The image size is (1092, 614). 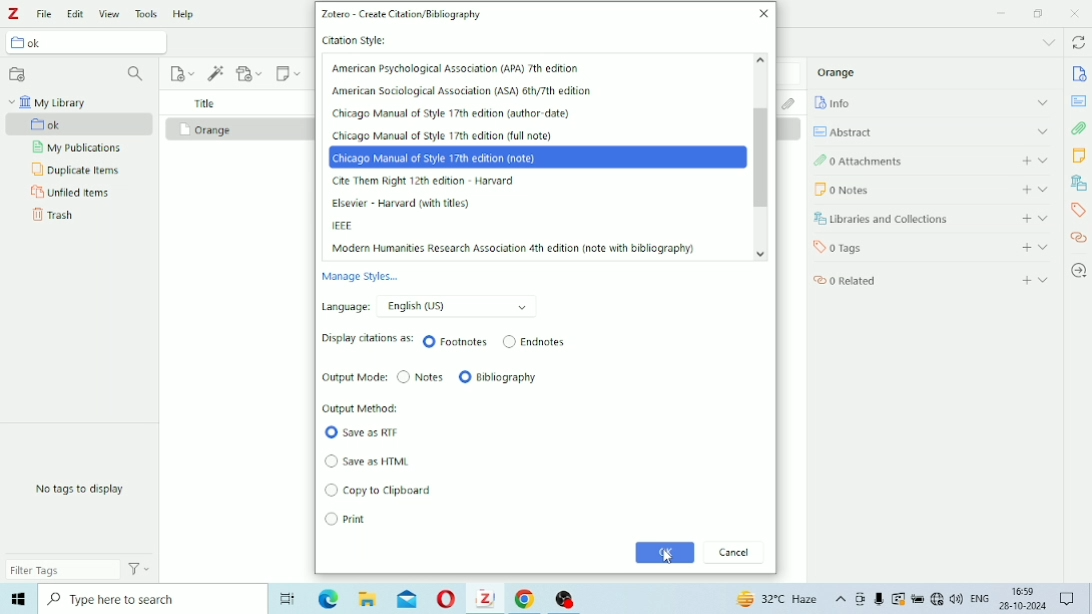 What do you see at coordinates (341, 226) in the screenshot?
I see `IEEE` at bounding box center [341, 226].